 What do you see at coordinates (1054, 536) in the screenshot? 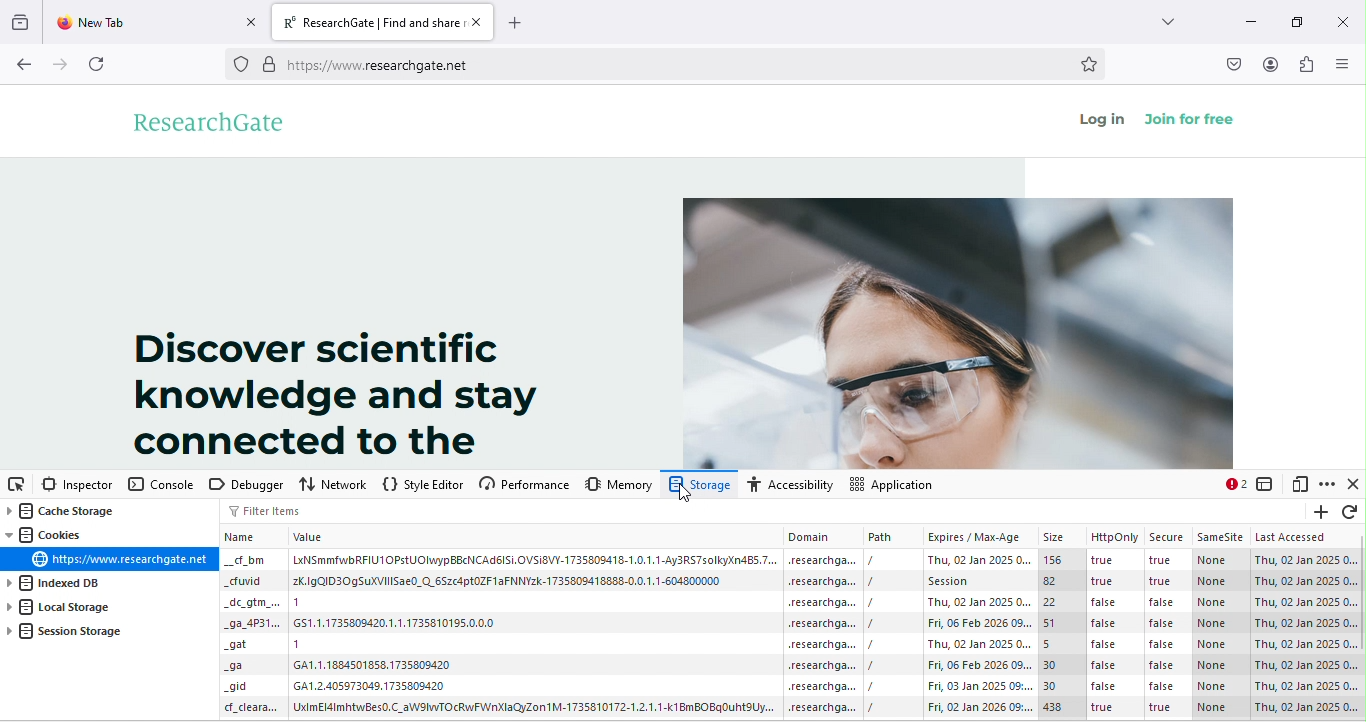
I see `size` at bounding box center [1054, 536].